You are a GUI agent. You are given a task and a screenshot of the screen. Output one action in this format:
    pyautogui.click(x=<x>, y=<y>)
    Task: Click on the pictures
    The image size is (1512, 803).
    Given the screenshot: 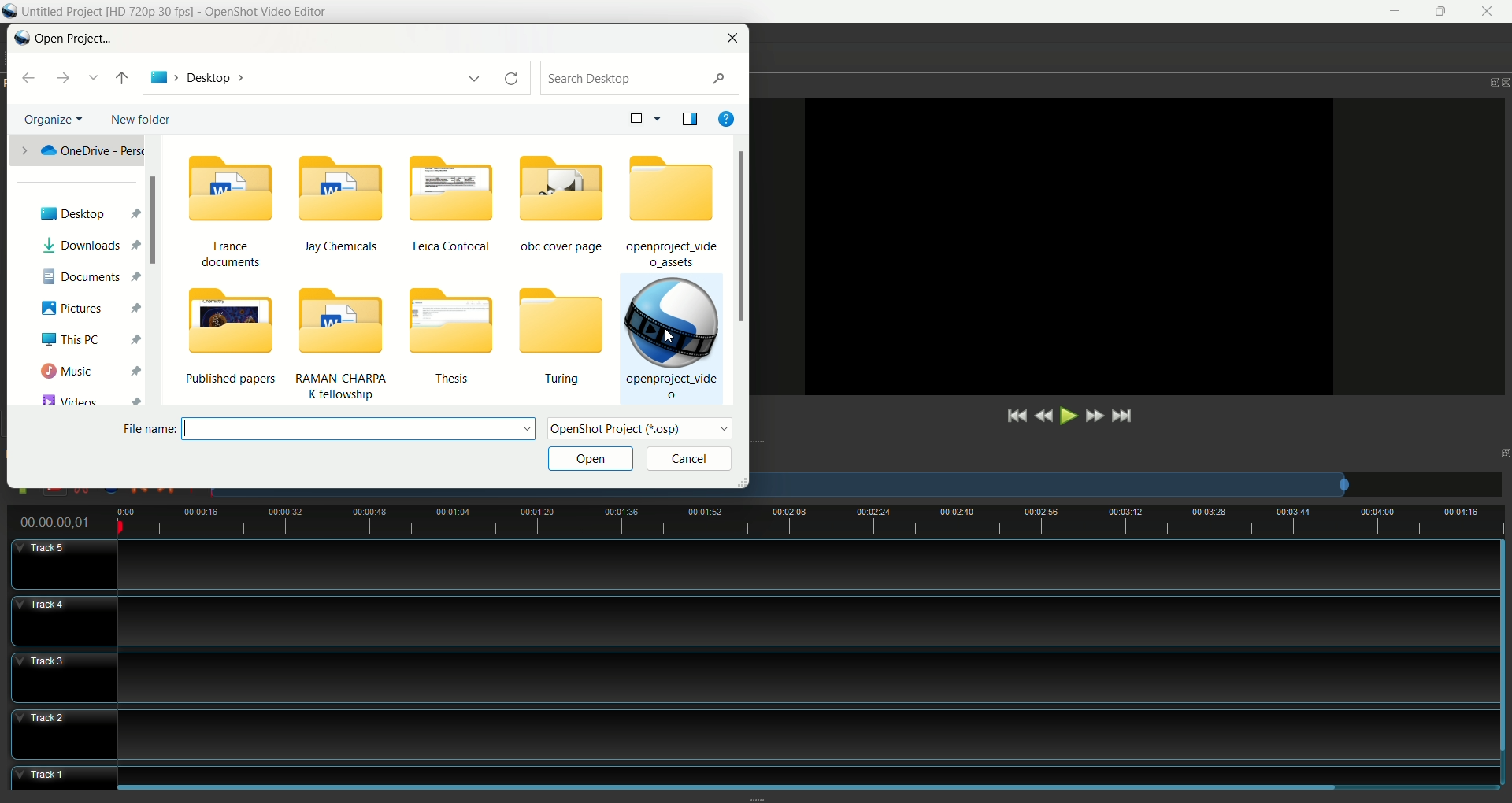 What is the action you would take?
    pyautogui.click(x=89, y=308)
    